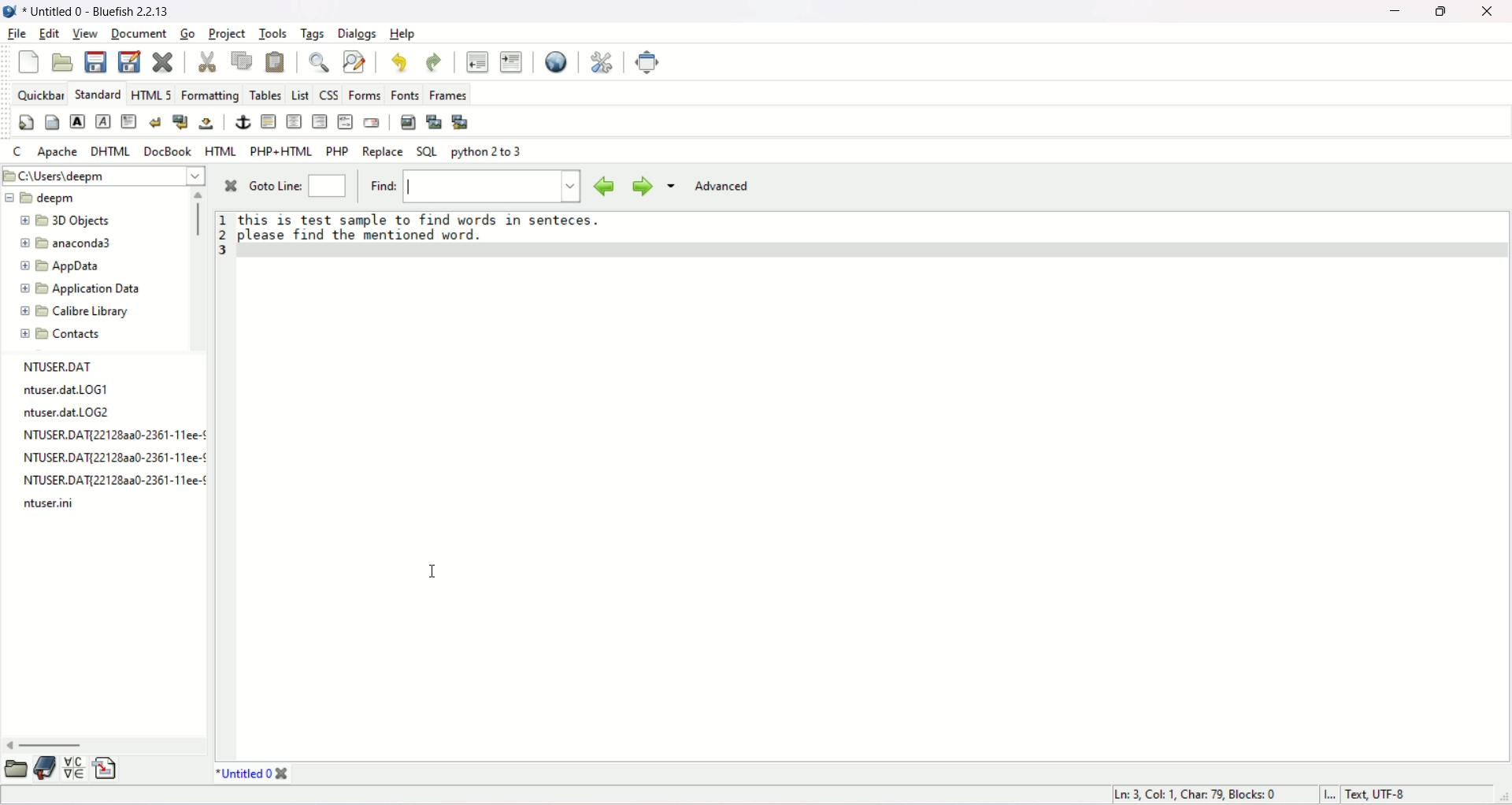  What do you see at coordinates (268, 121) in the screenshot?
I see `horizontal rule` at bounding box center [268, 121].